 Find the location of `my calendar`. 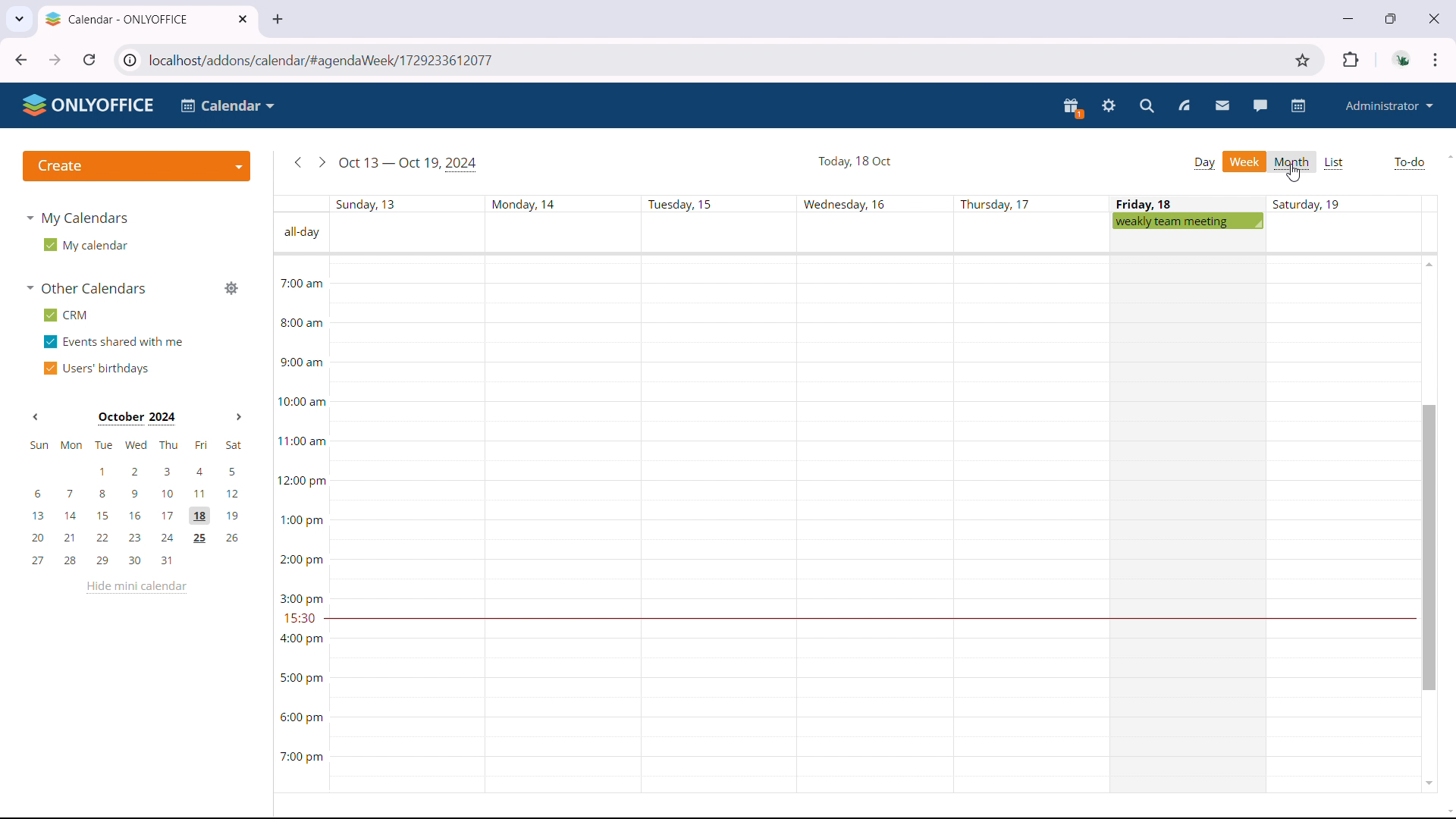

my calendar is located at coordinates (85, 244).